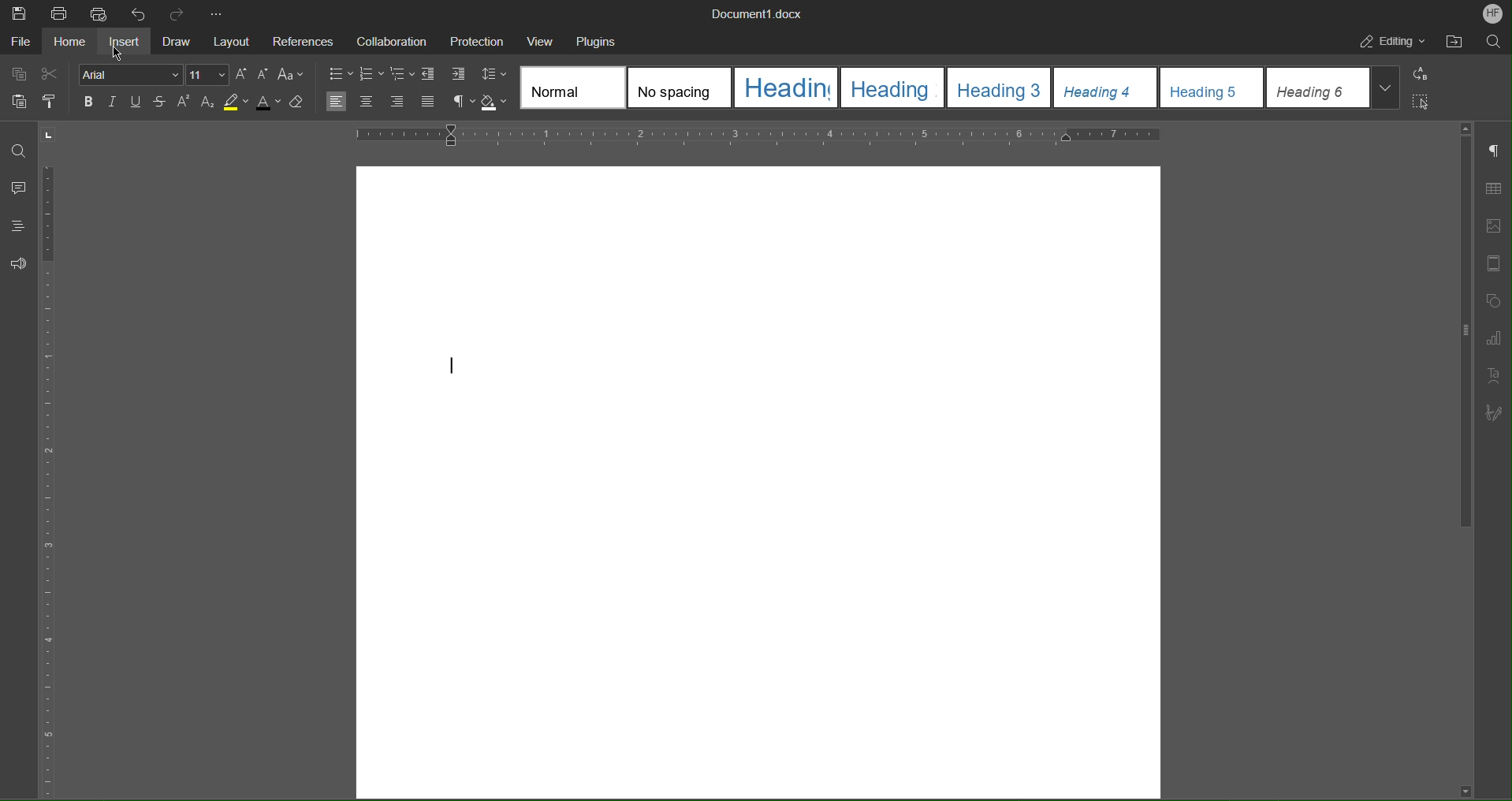 This screenshot has height=801, width=1512. Describe the element at coordinates (1105, 89) in the screenshot. I see `Heading 4` at that location.